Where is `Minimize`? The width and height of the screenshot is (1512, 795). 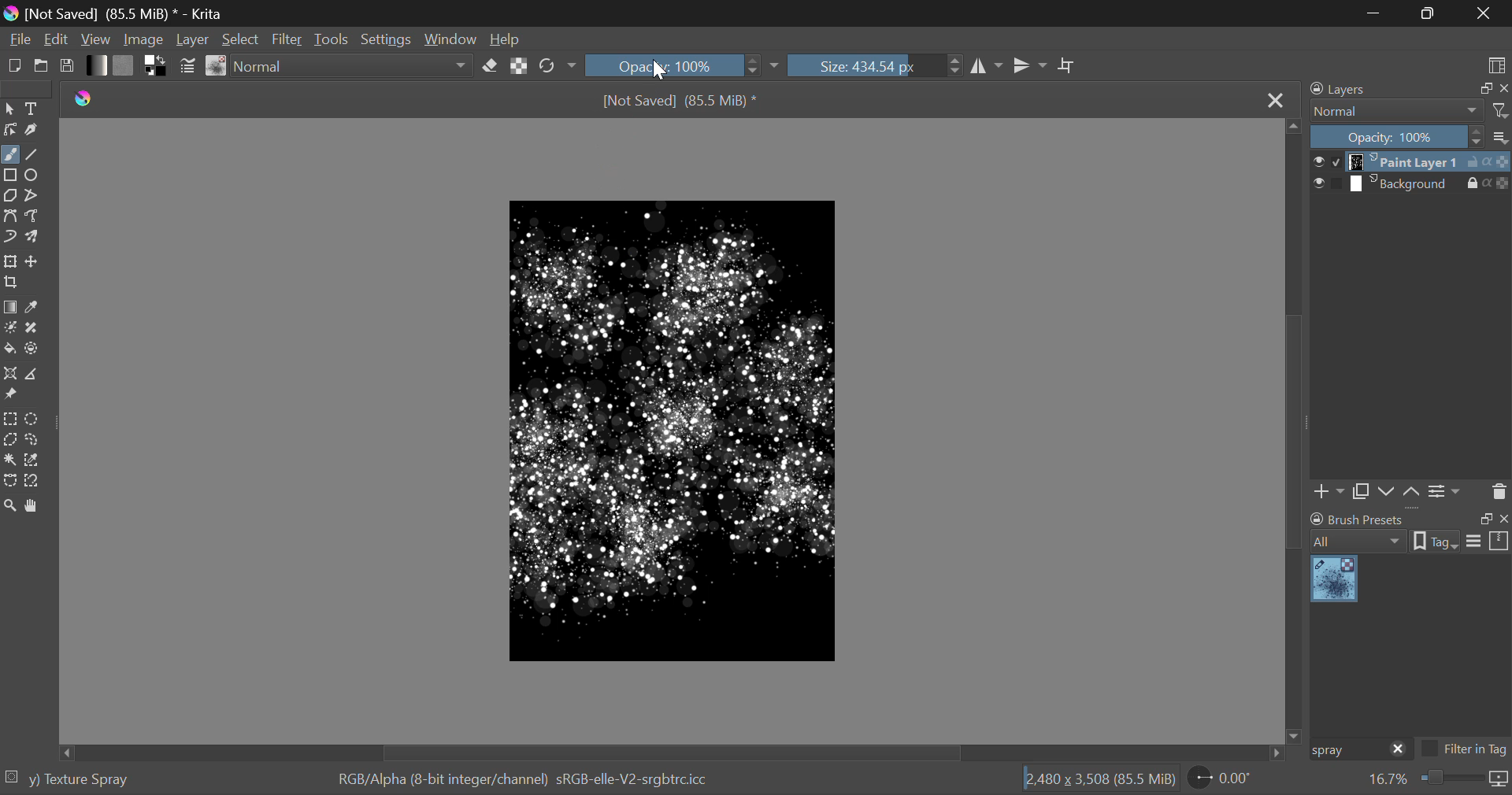
Minimize is located at coordinates (1431, 12).